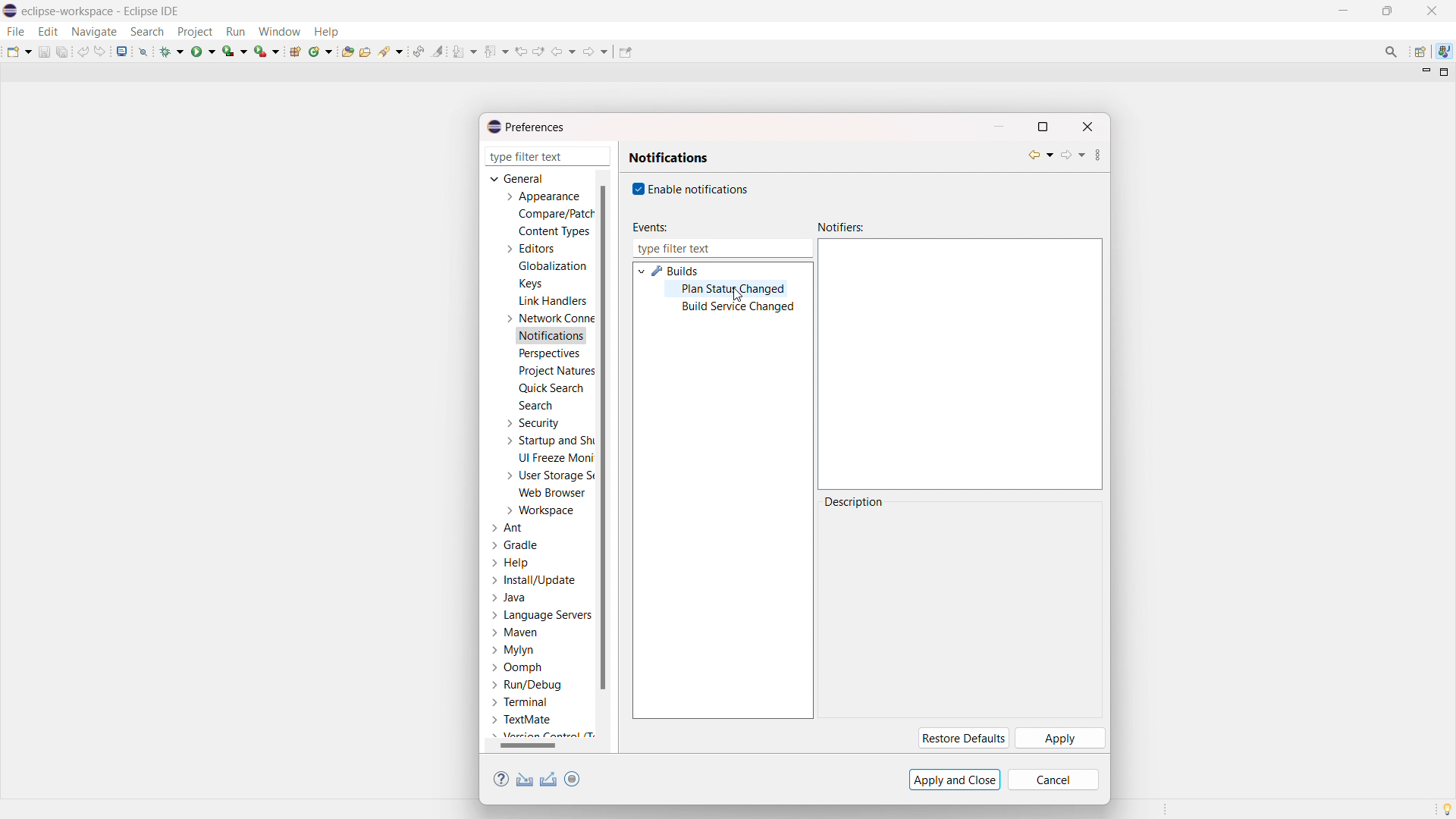 The image size is (1456, 819). What do you see at coordinates (700, 188) in the screenshot?
I see `enable notifications` at bounding box center [700, 188].